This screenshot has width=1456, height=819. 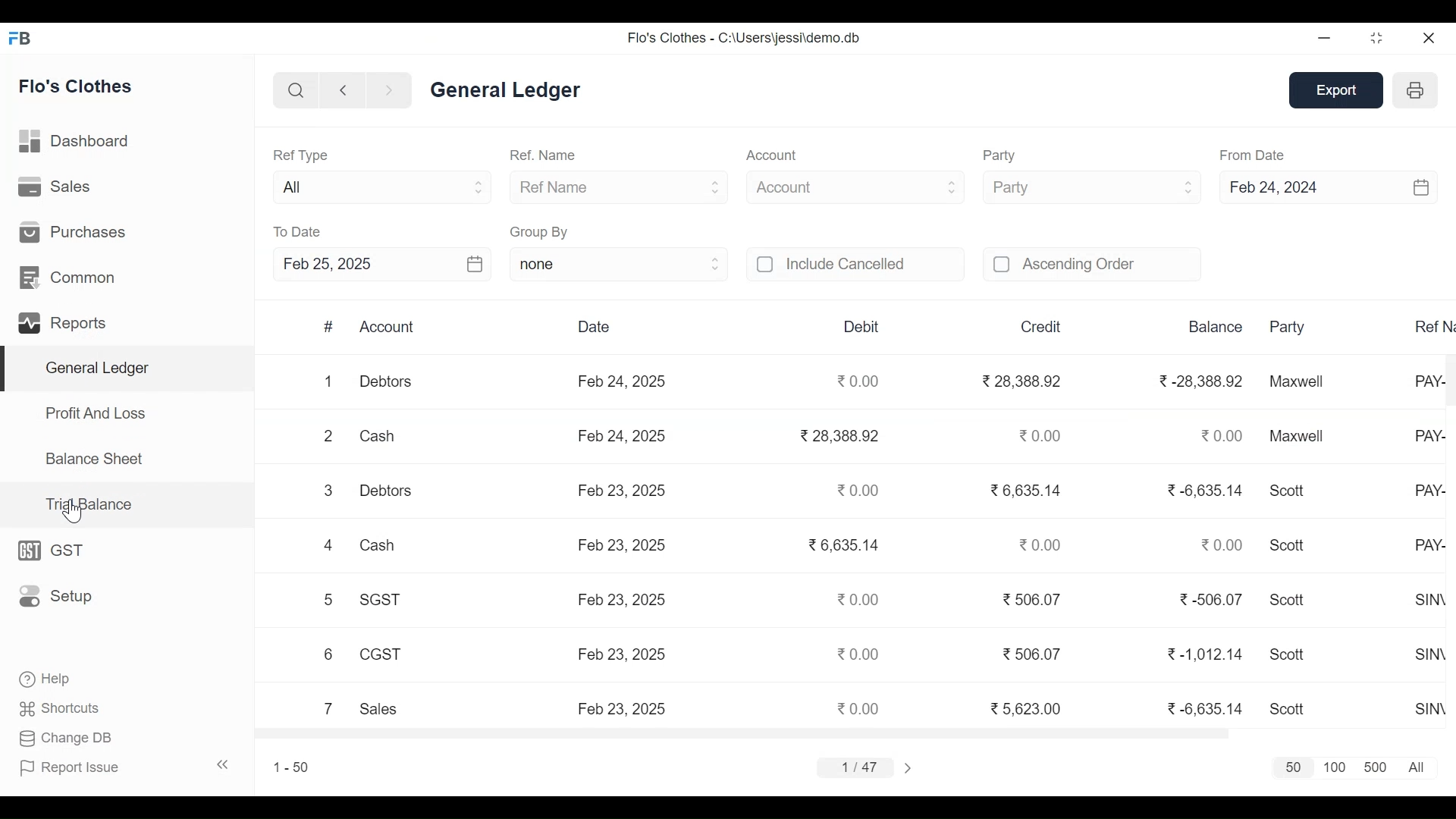 What do you see at coordinates (1093, 265) in the screenshot?
I see `(un)check Ascending Order` at bounding box center [1093, 265].